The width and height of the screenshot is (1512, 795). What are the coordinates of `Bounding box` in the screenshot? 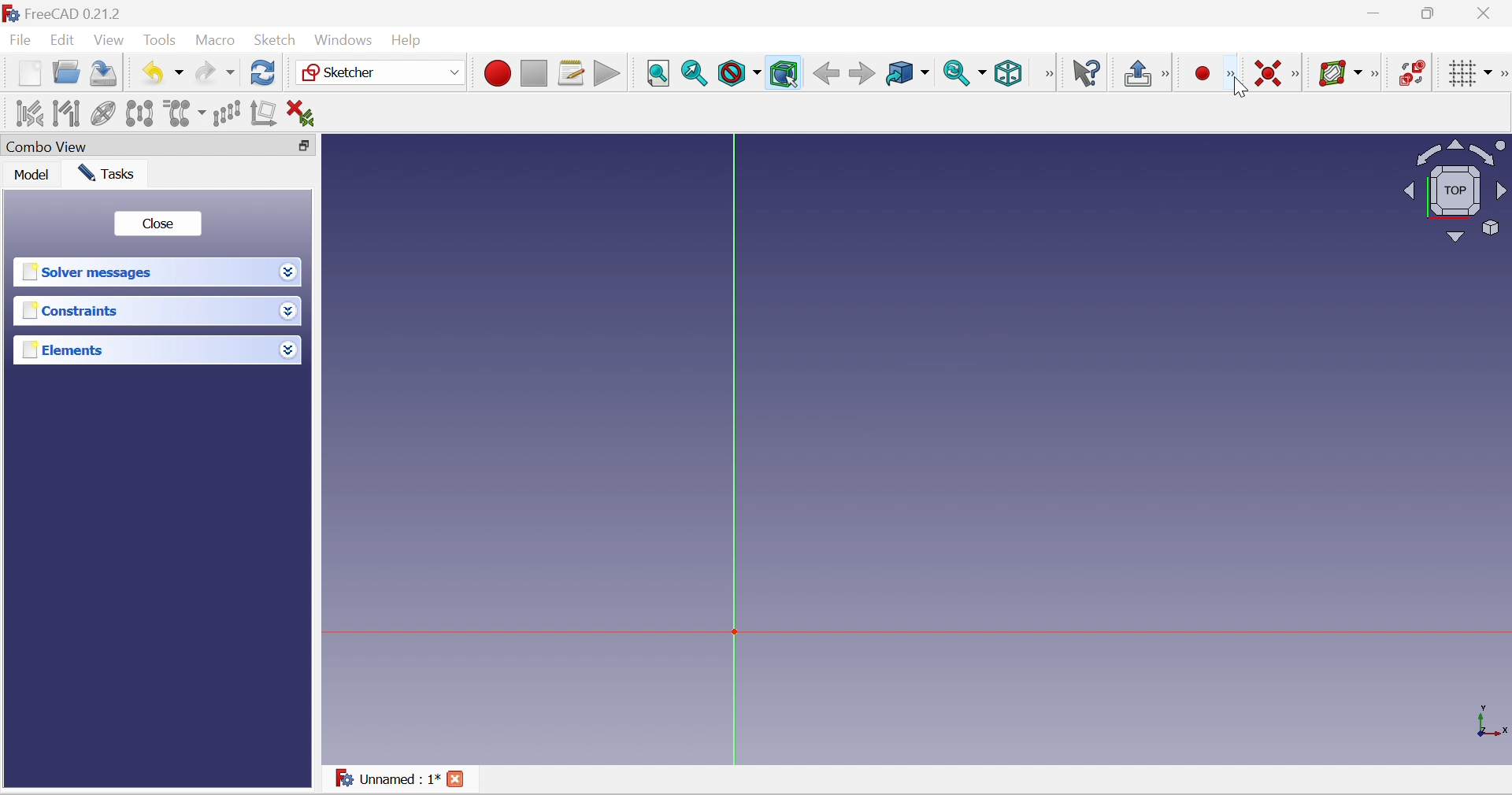 It's located at (785, 74).